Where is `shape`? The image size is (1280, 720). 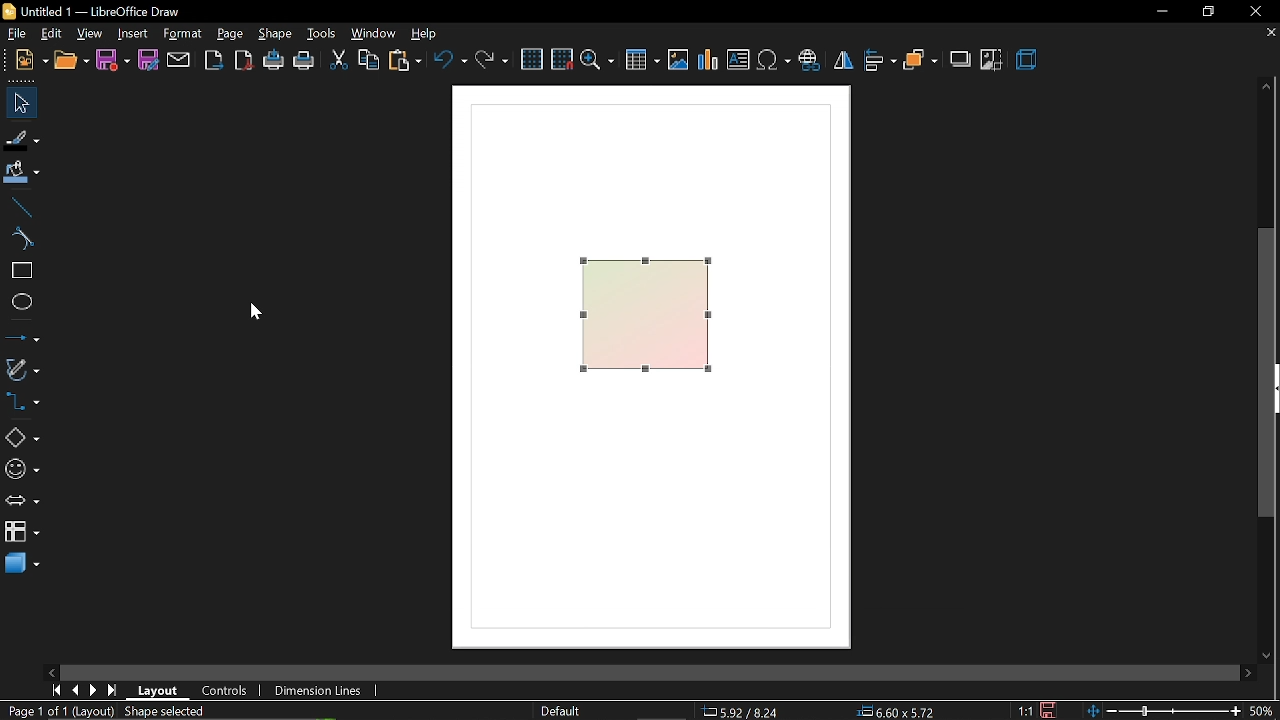 shape is located at coordinates (276, 34).